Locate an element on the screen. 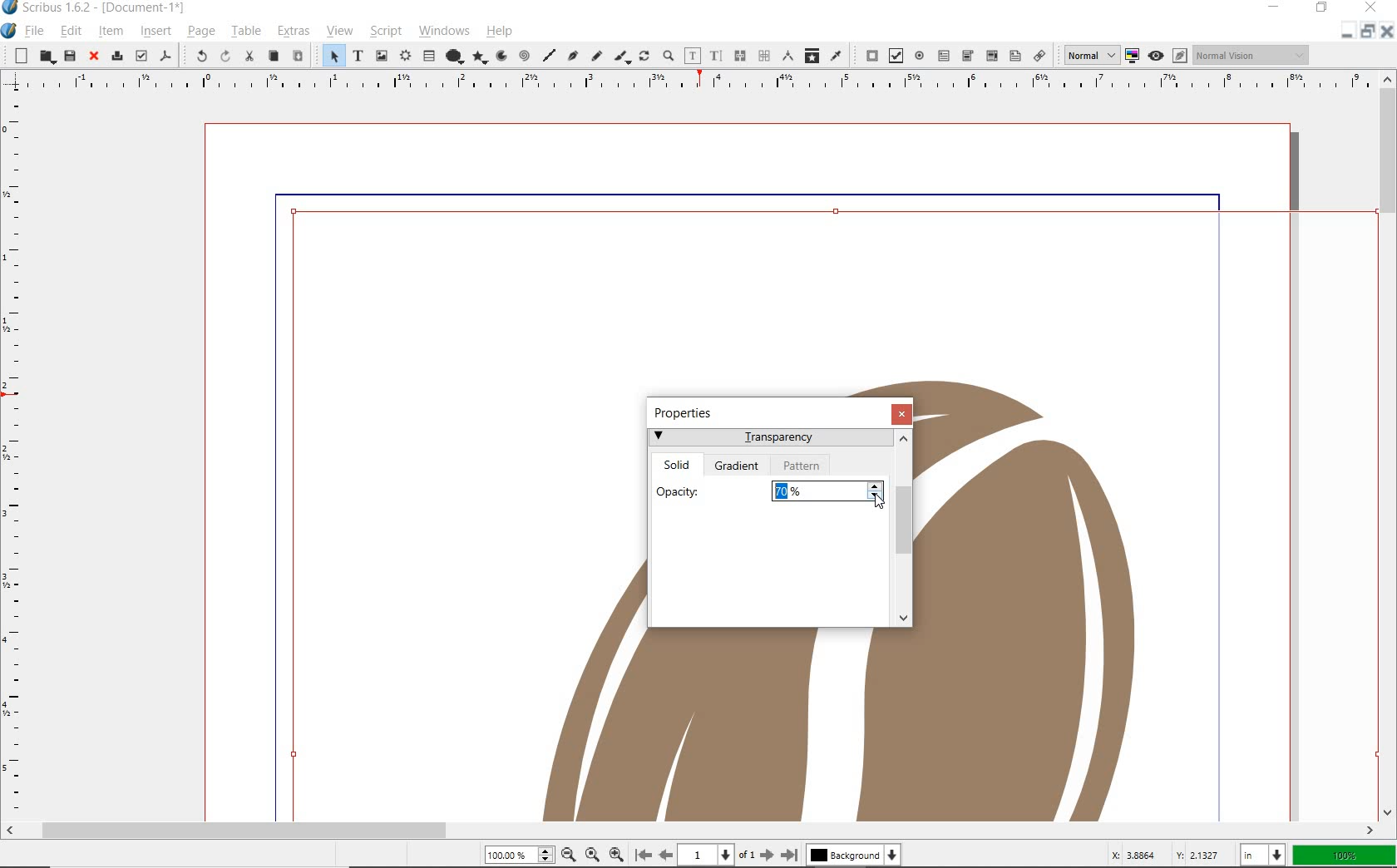 The width and height of the screenshot is (1397, 868). save as pdf is located at coordinates (163, 57).